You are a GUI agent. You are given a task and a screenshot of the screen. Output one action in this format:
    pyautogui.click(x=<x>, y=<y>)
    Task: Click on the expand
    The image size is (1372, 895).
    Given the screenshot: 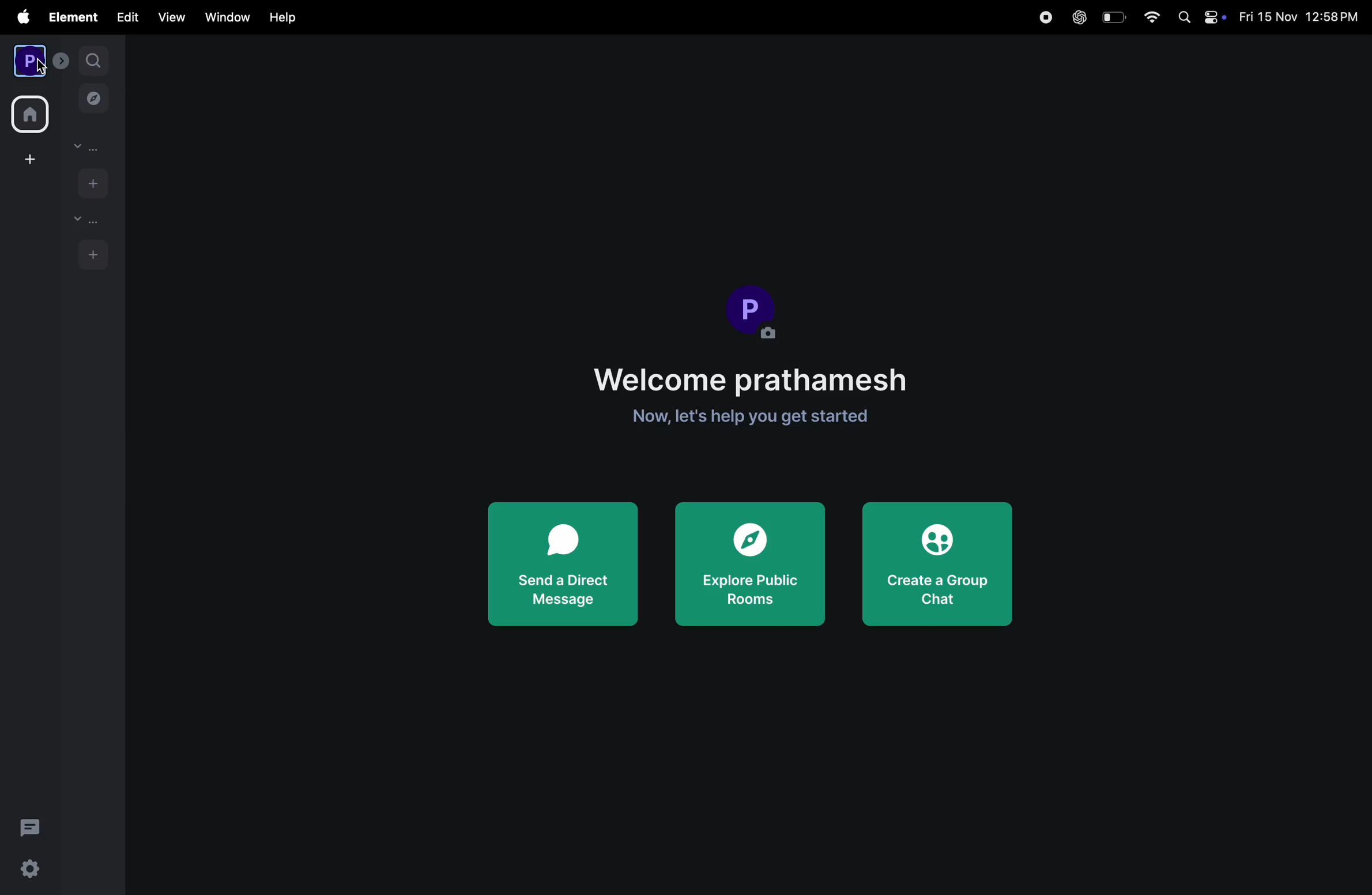 What is the action you would take?
    pyautogui.click(x=61, y=61)
    